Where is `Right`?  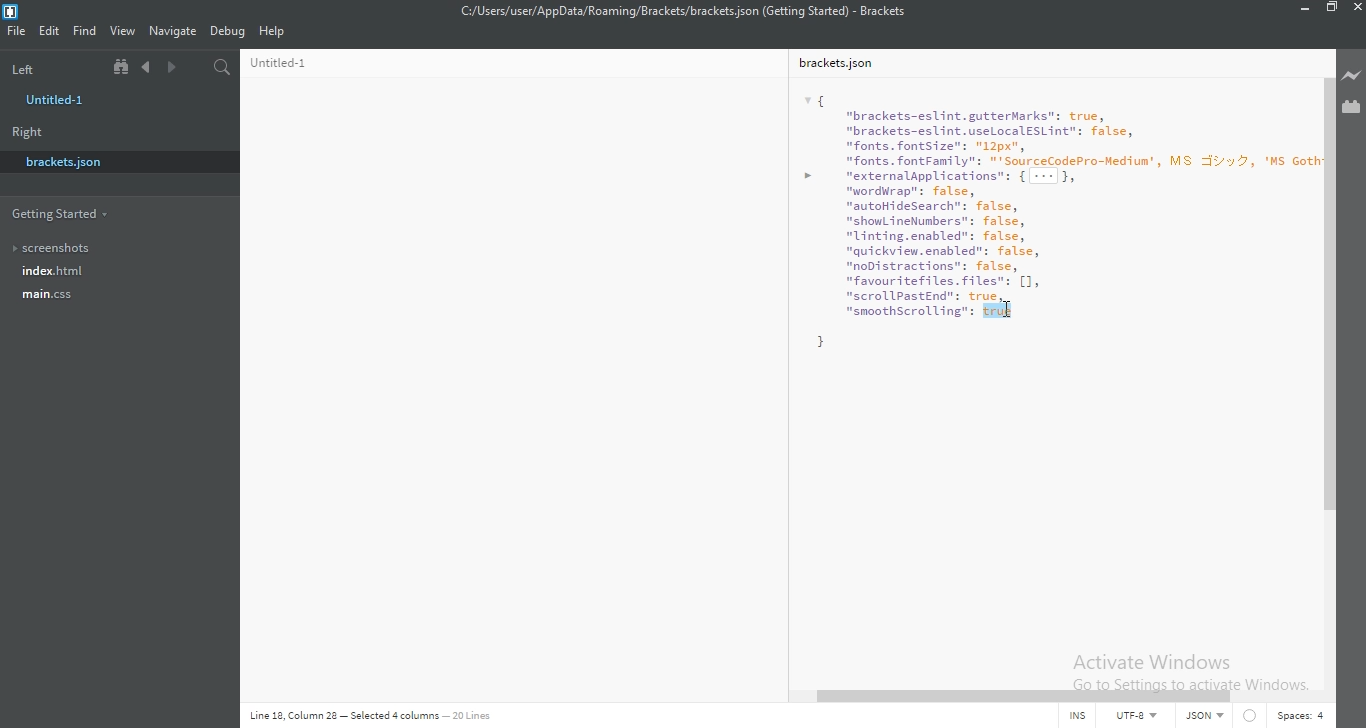 Right is located at coordinates (26, 132).